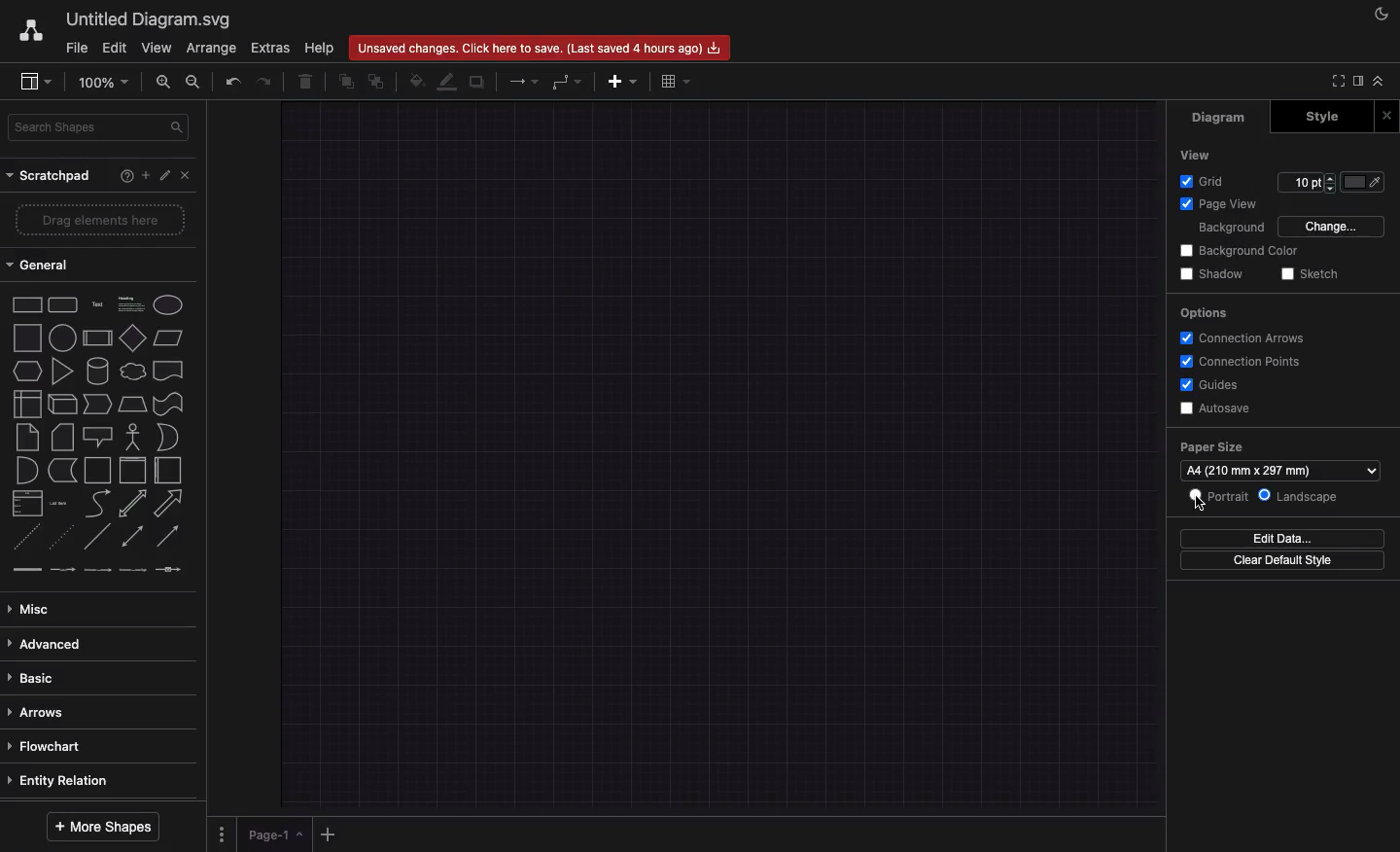 The image size is (1400, 852). What do you see at coordinates (39, 713) in the screenshot?
I see `Arrows` at bounding box center [39, 713].